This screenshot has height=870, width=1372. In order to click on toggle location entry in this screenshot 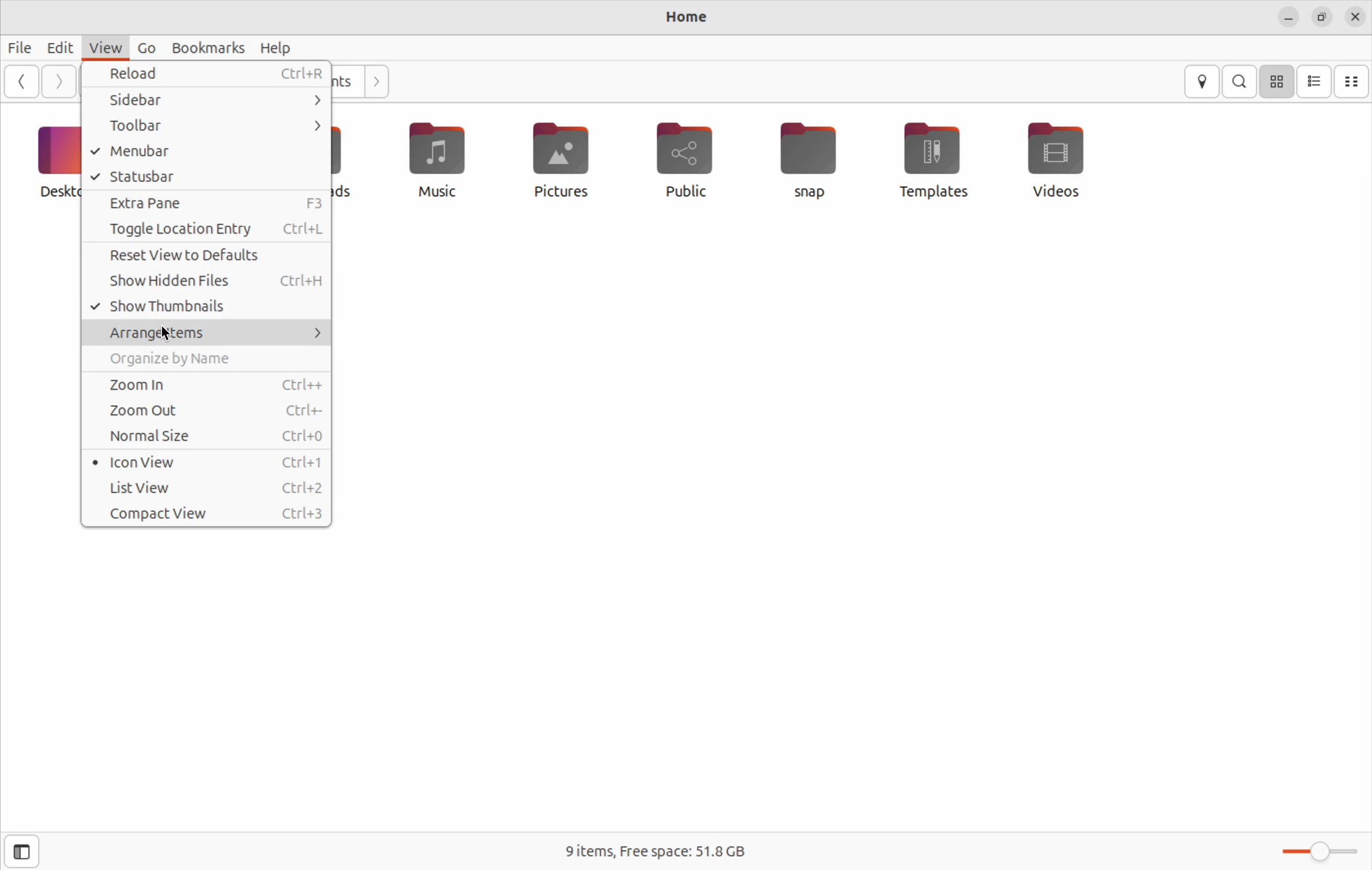, I will do `click(205, 229)`.